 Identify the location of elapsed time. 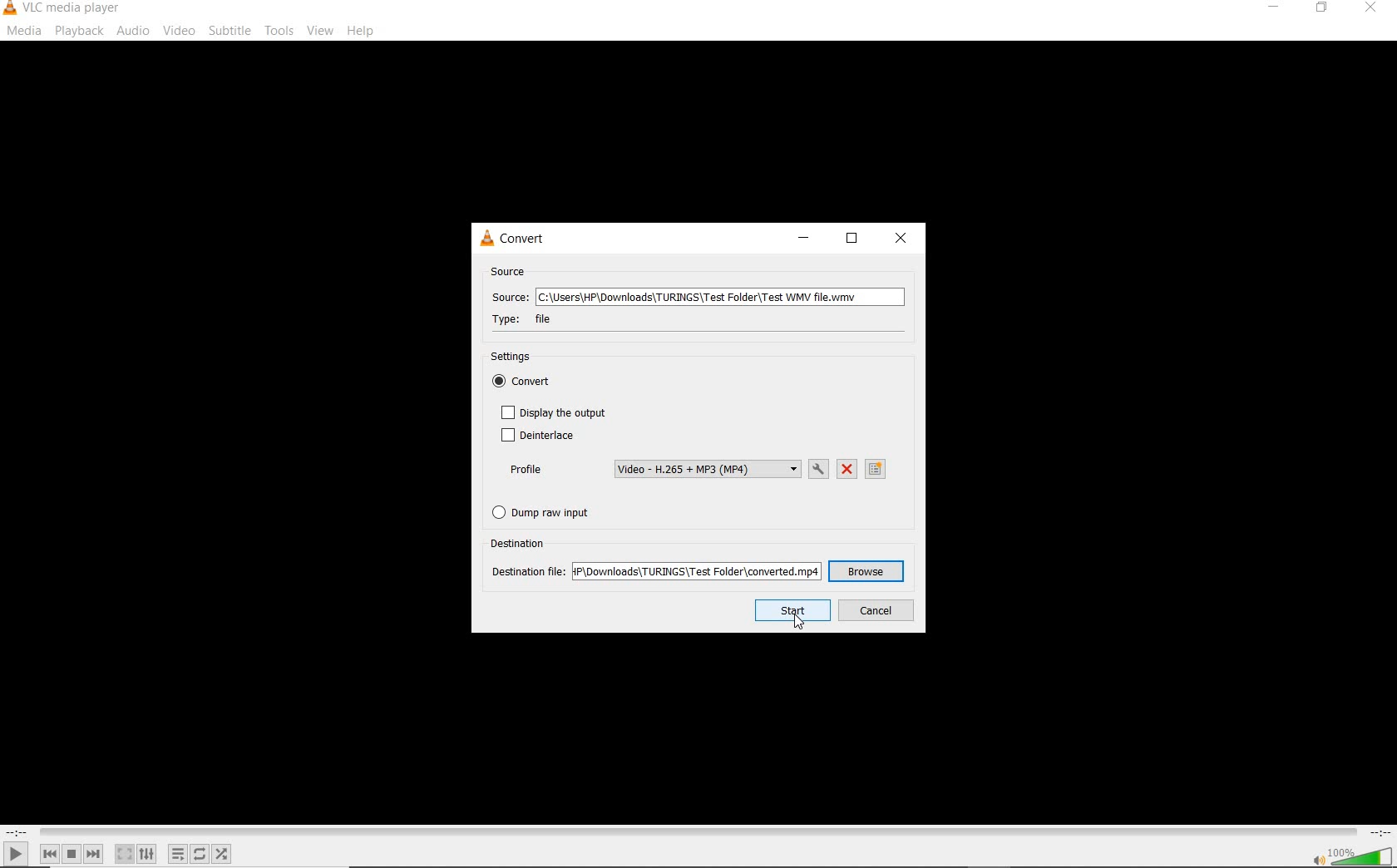
(17, 832).